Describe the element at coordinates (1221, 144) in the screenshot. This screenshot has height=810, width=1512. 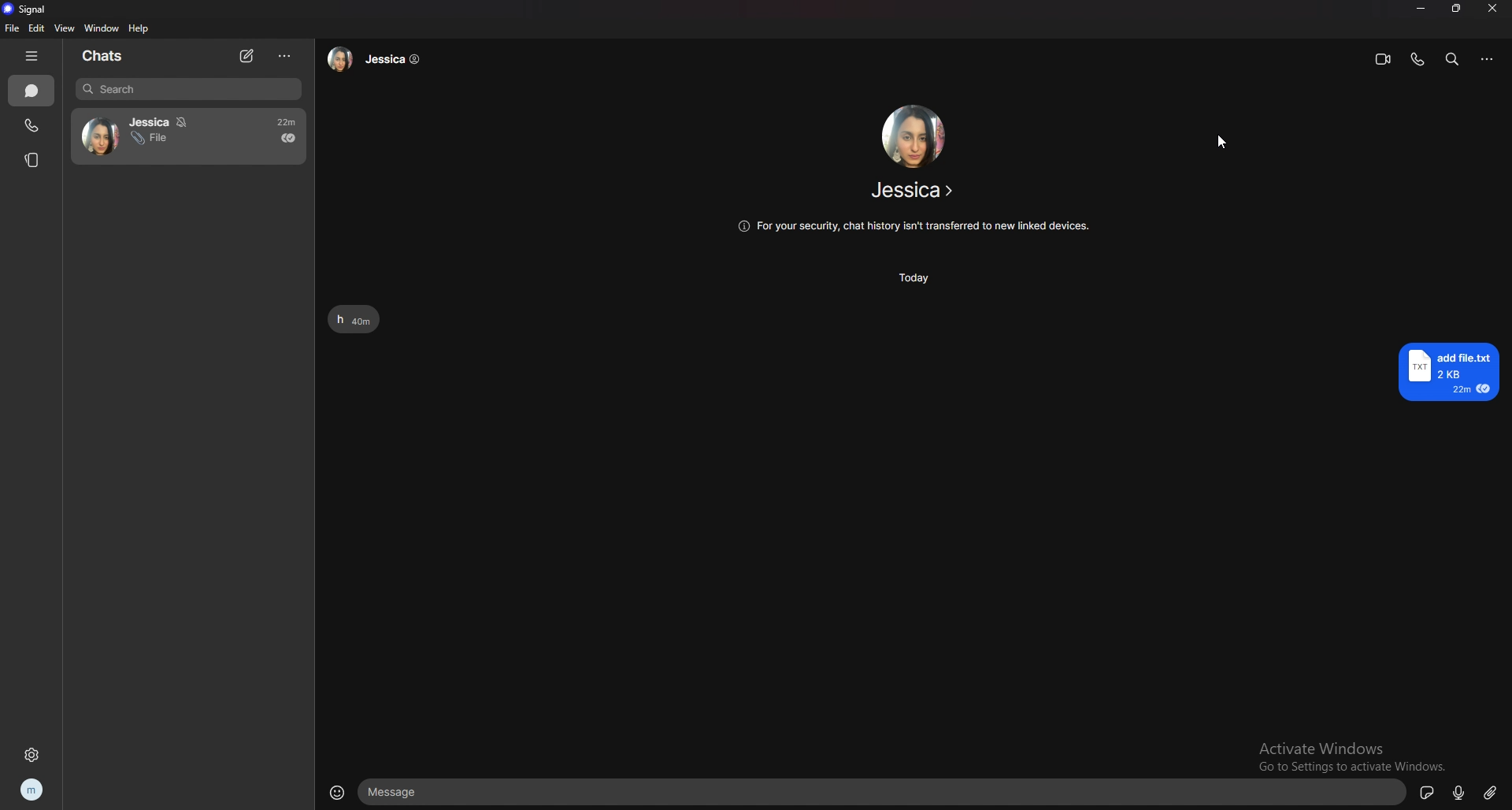
I see `cursor` at that location.